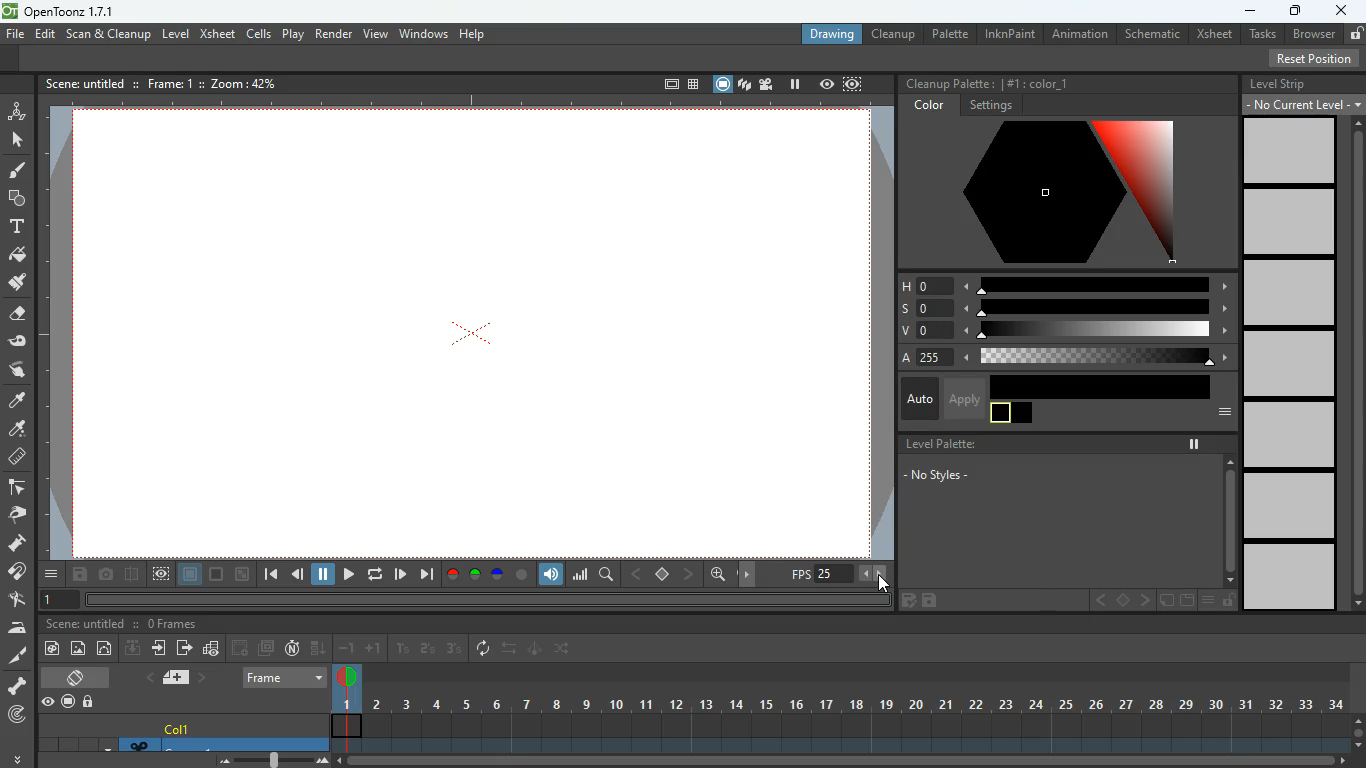 This screenshot has width=1366, height=768. Describe the element at coordinates (346, 650) in the screenshot. I see `-1` at that location.